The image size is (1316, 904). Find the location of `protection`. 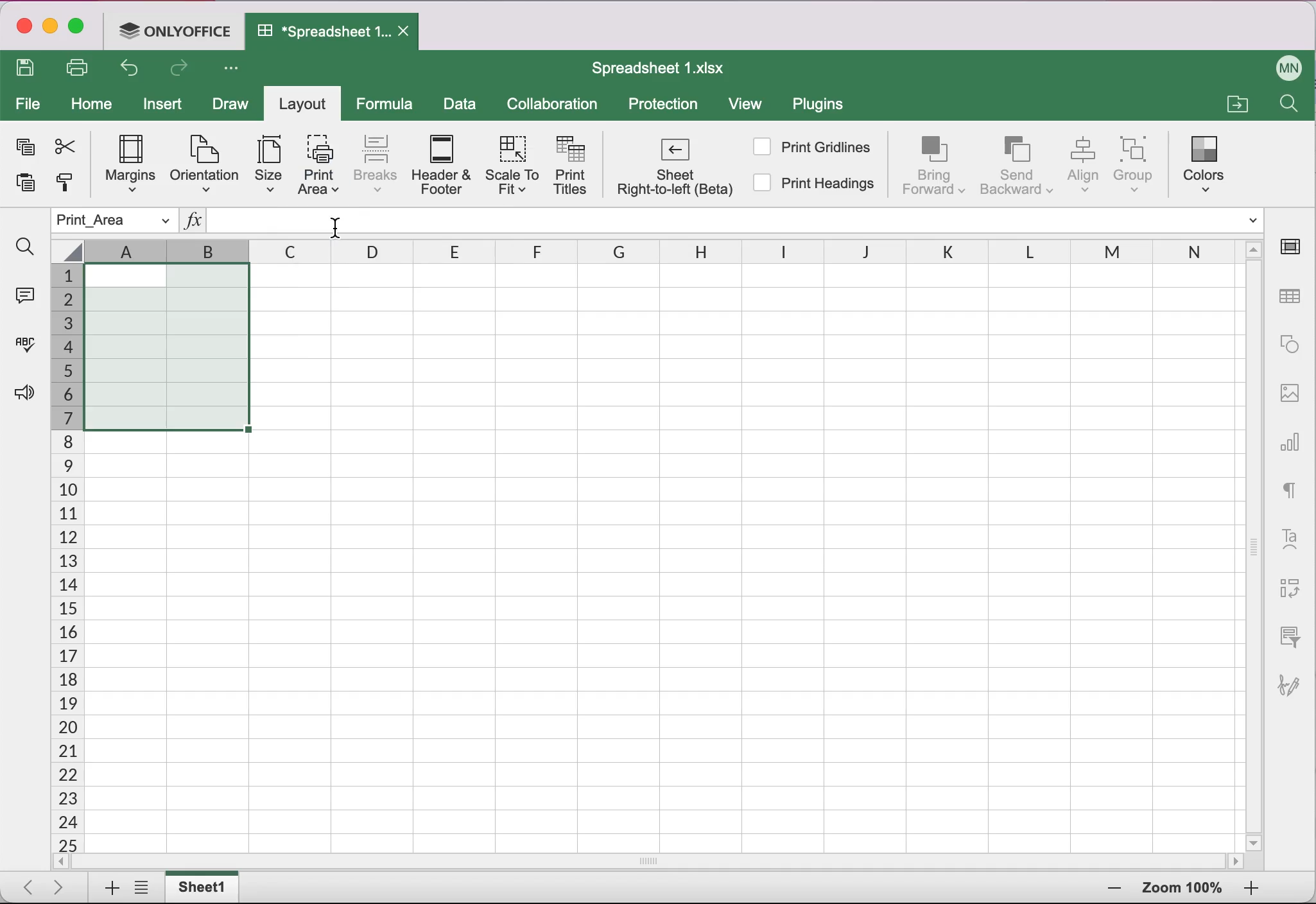

protection is located at coordinates (664, 105).